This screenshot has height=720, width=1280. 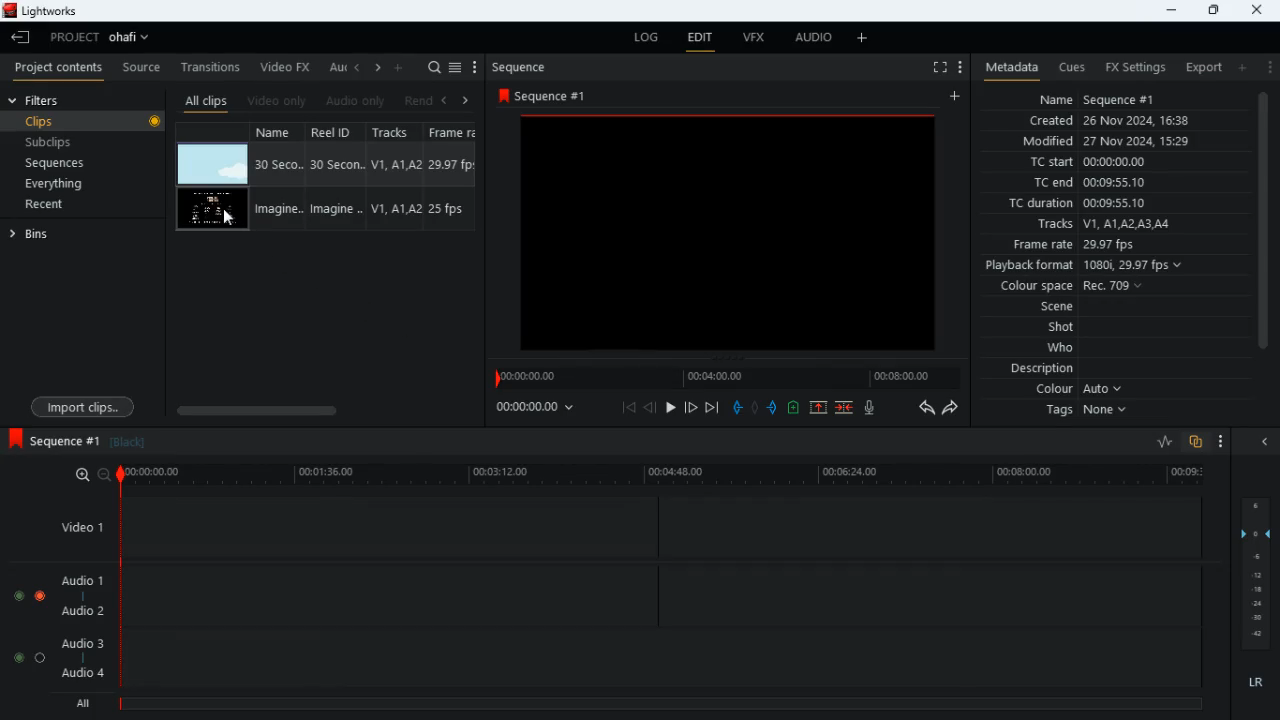 What do you see at coordinates (74, 526) in the screenshot?
I see `video 1` at bounding box center [74, 526].